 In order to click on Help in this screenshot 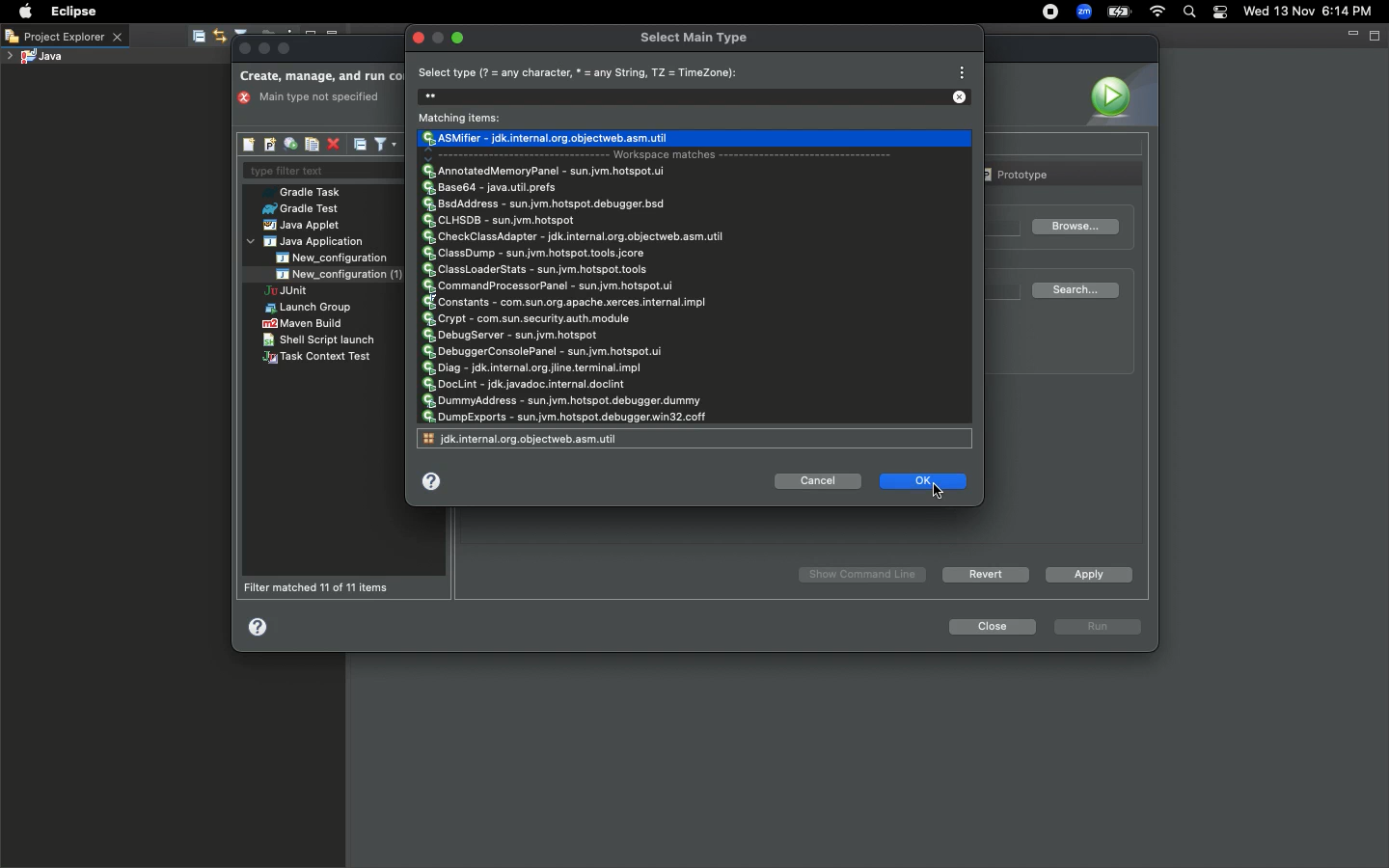, I will do `click(259, 626)`.